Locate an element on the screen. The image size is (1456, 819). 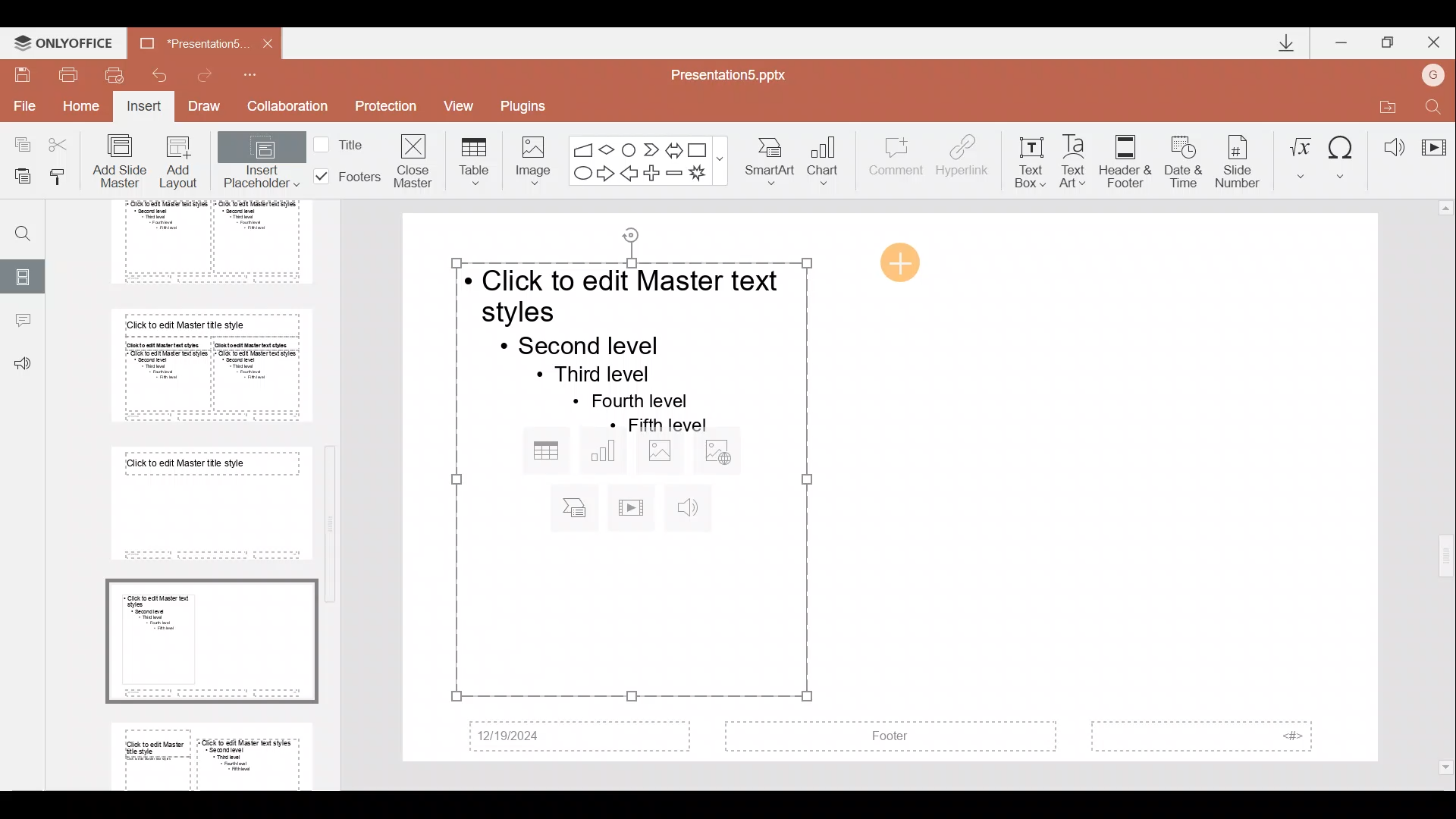
Document name is located at coordinates (737, 74).